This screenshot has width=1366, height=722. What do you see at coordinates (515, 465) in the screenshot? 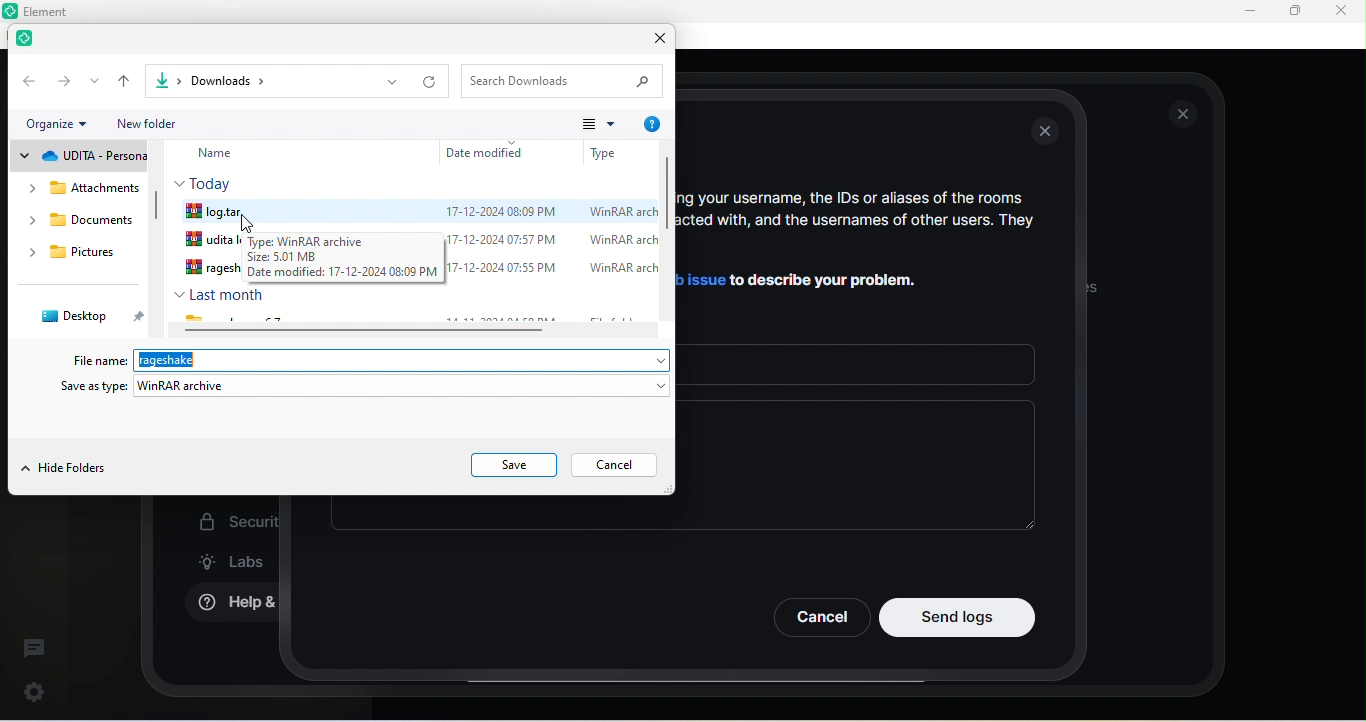
I see `save` at bounding box center [515, 465].